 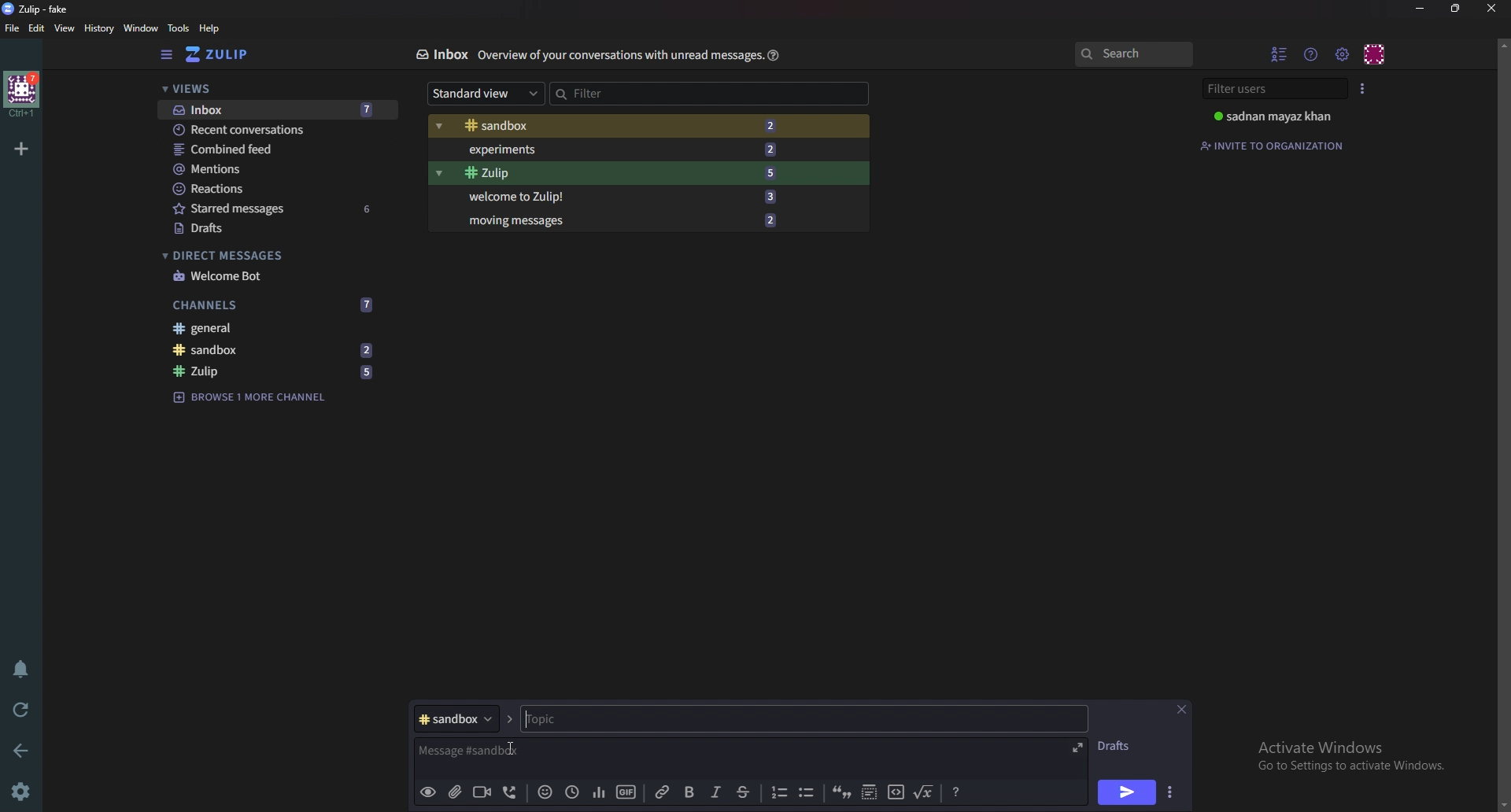 I want to click on Welcome to zulip, so click(x=618, y=195).